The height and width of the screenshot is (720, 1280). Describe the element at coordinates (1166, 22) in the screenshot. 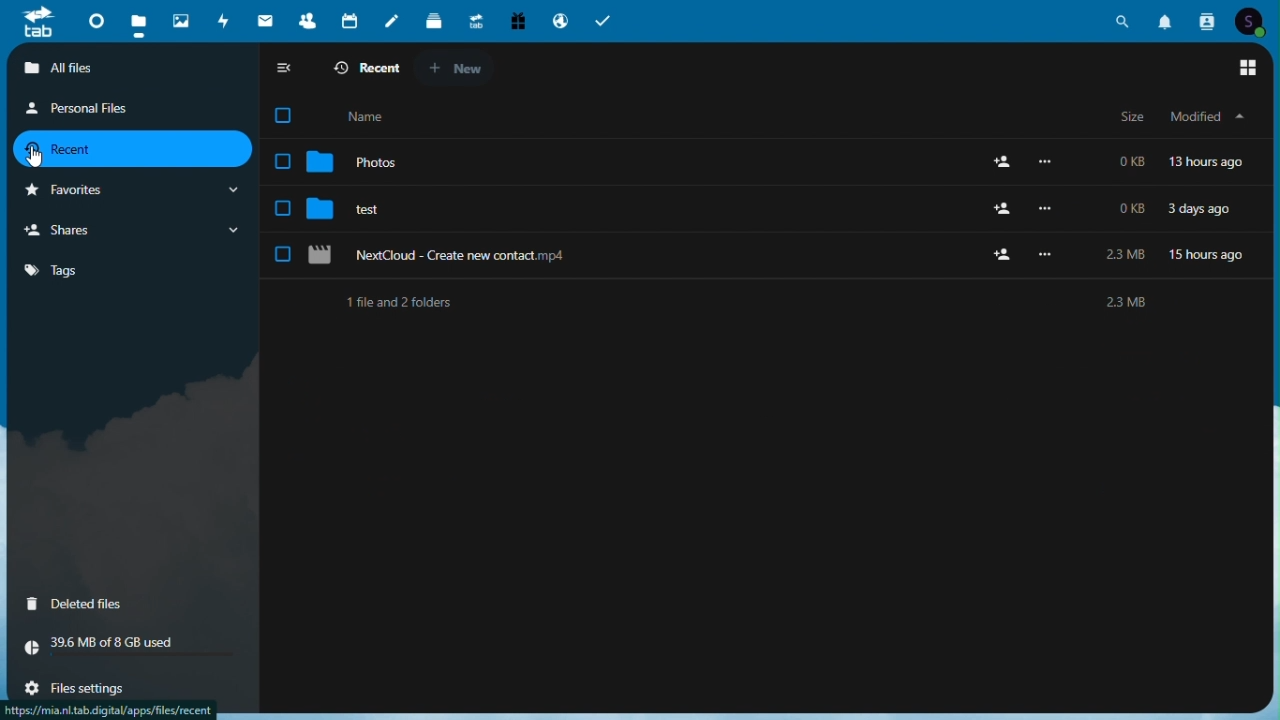

I see `notifications` at that location.